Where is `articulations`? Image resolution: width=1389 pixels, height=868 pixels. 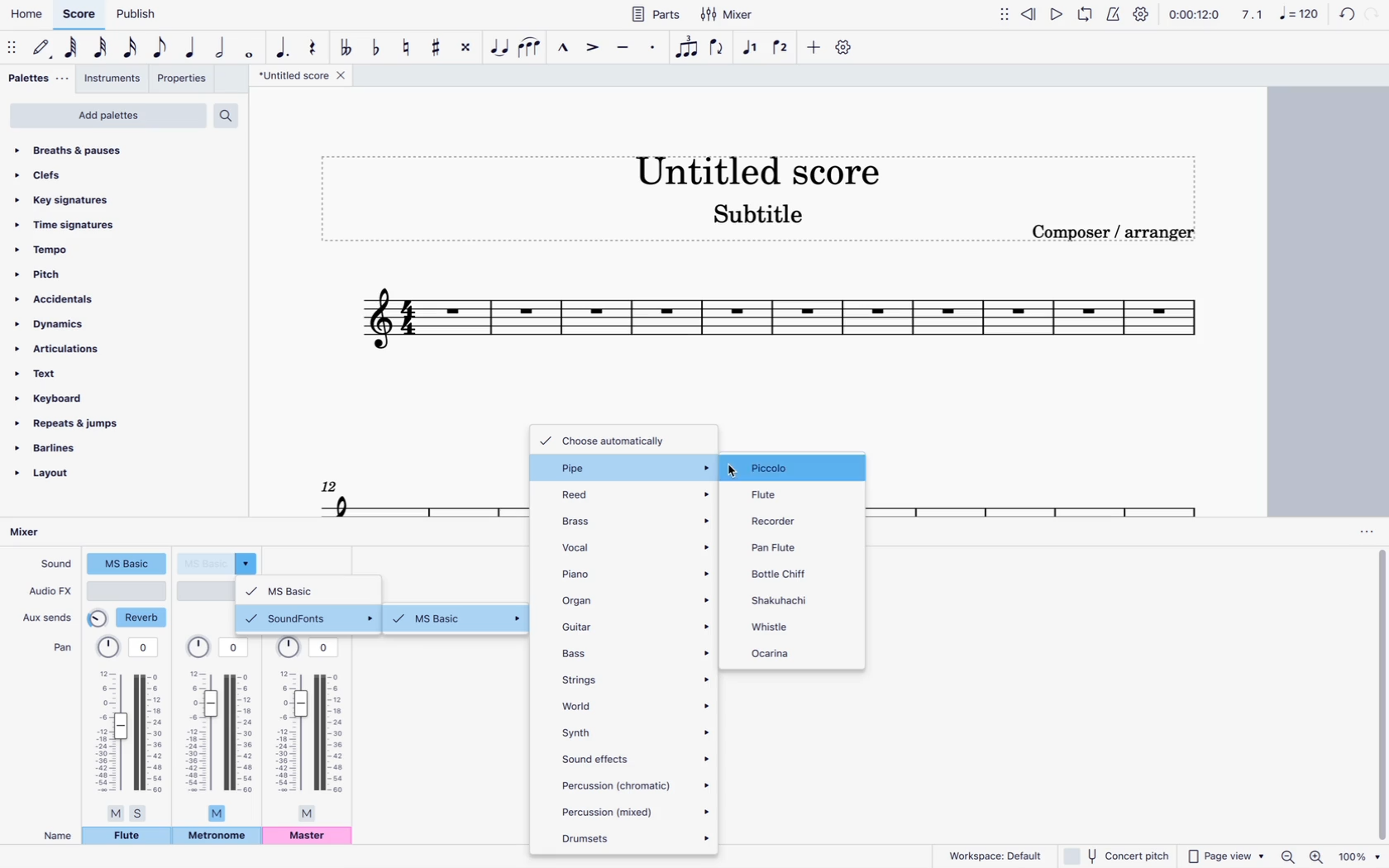 articulations is located at coordinates (80, 349).